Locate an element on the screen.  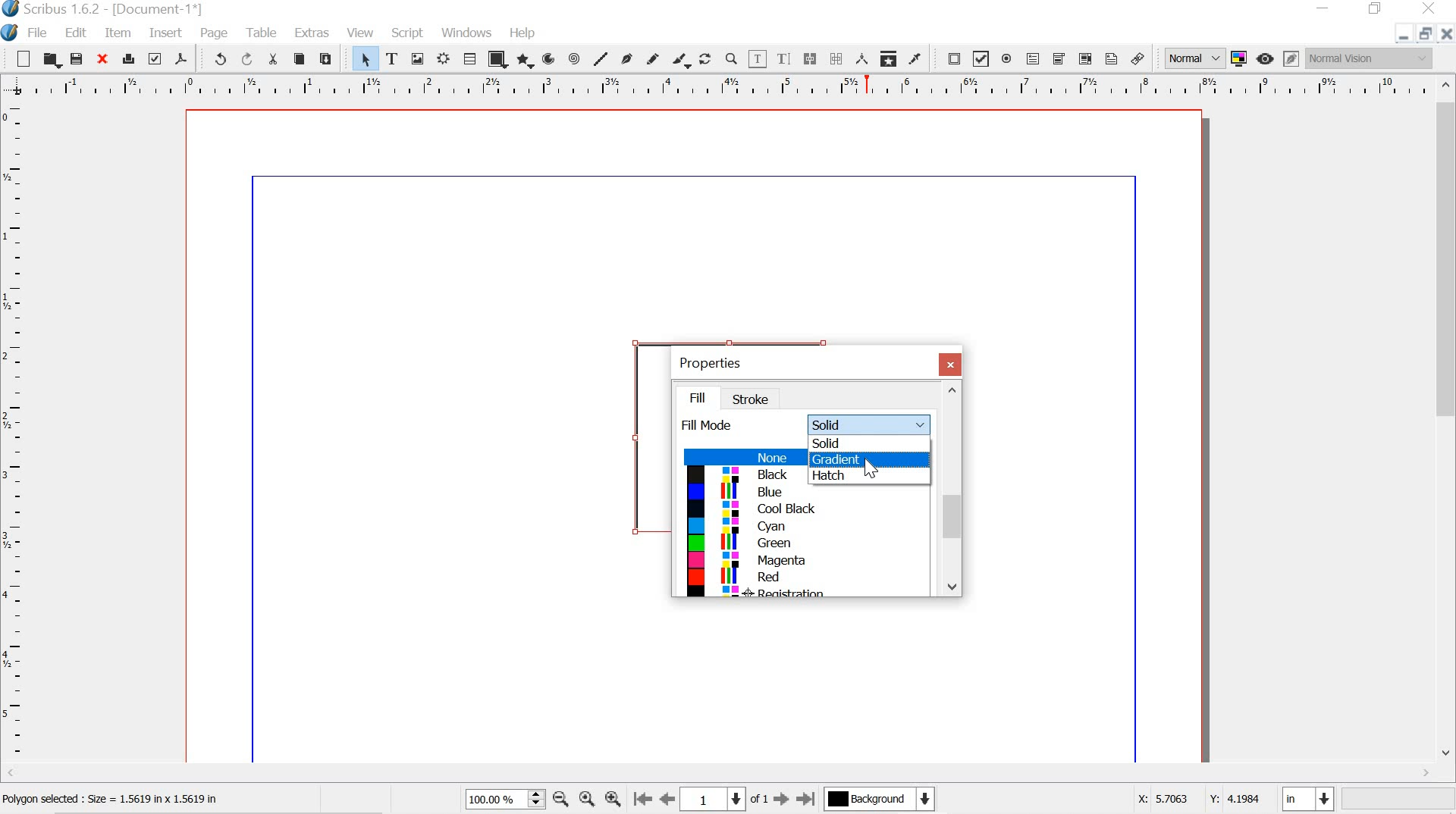
properties is located at coordinates (716, 361).